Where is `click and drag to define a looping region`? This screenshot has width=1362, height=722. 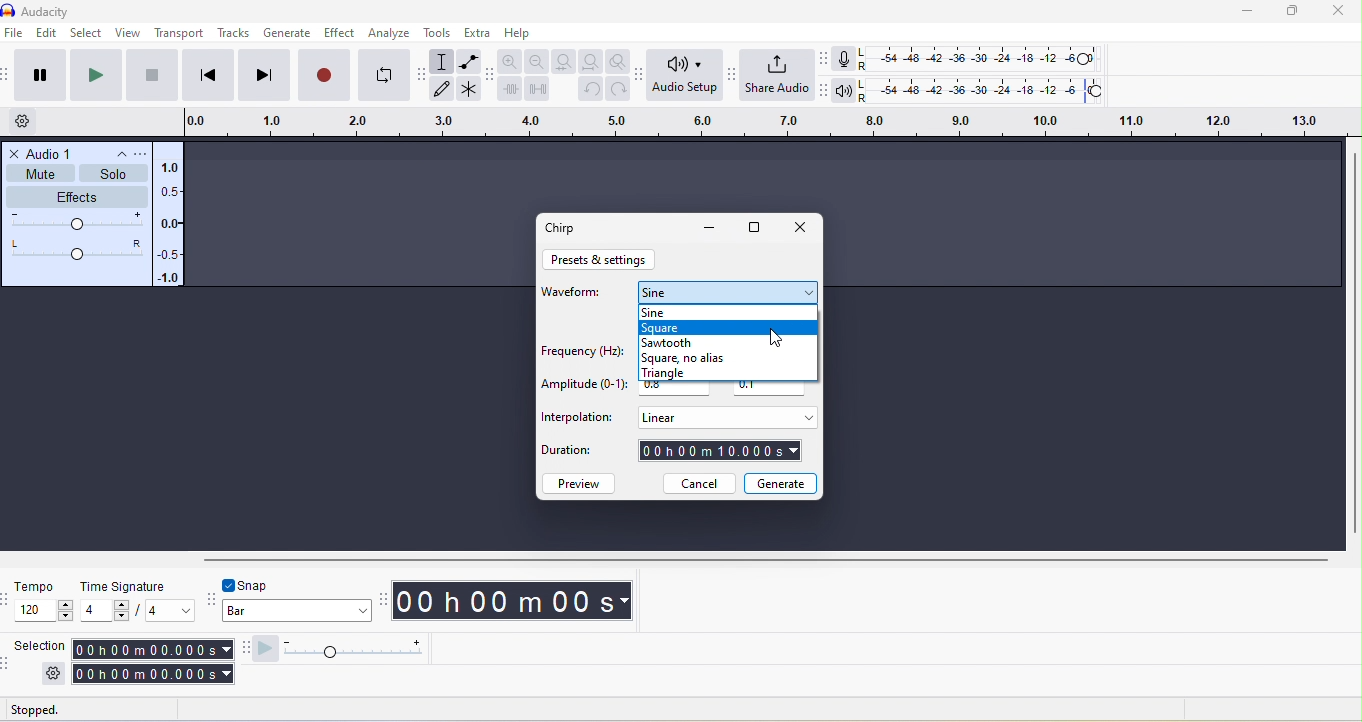
click and drag to define a looping region is located at coordinates (760, 120).